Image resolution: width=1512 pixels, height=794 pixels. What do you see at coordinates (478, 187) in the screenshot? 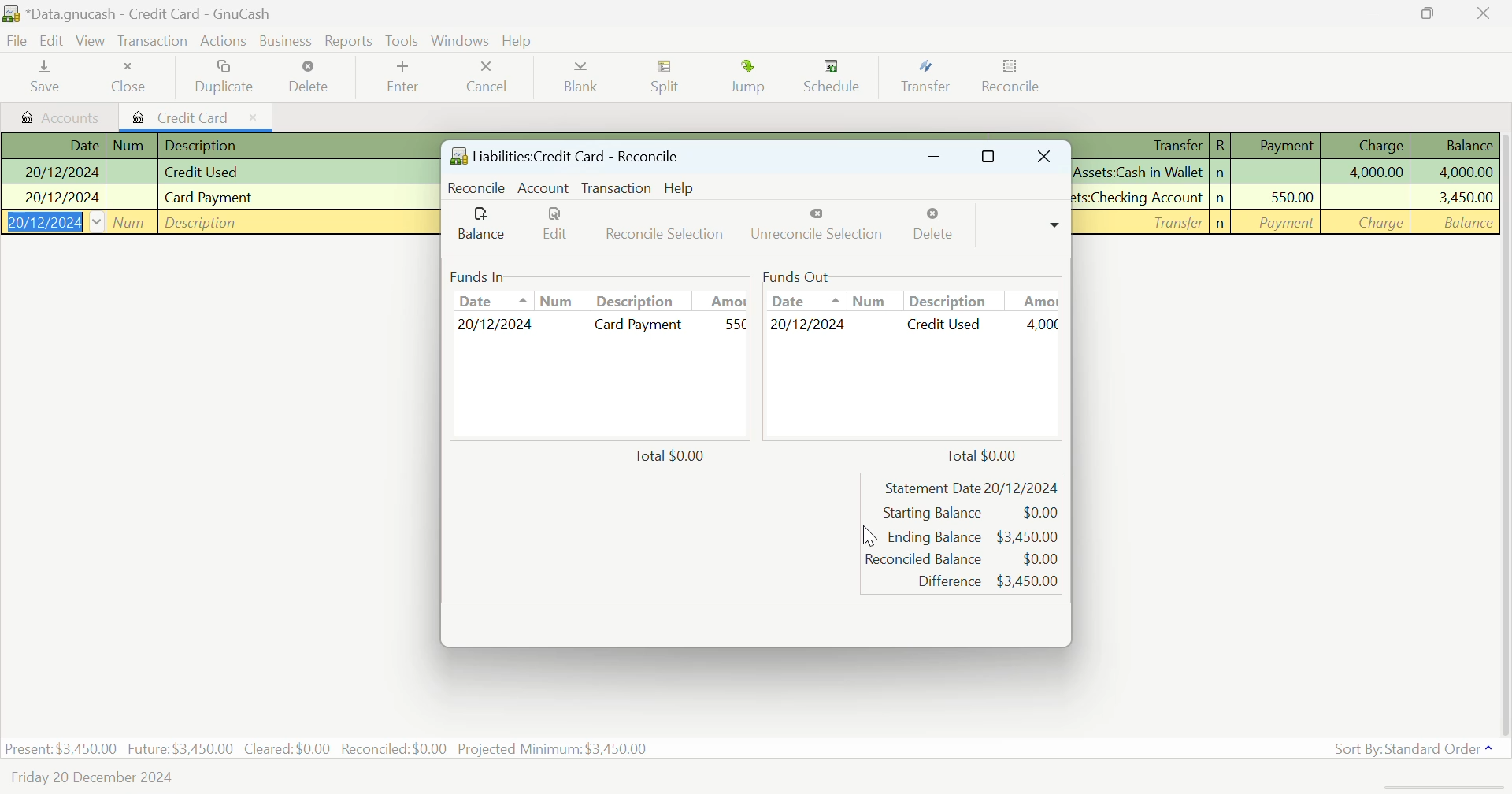
I see `Reconcile` at bounding box center [478, 187].